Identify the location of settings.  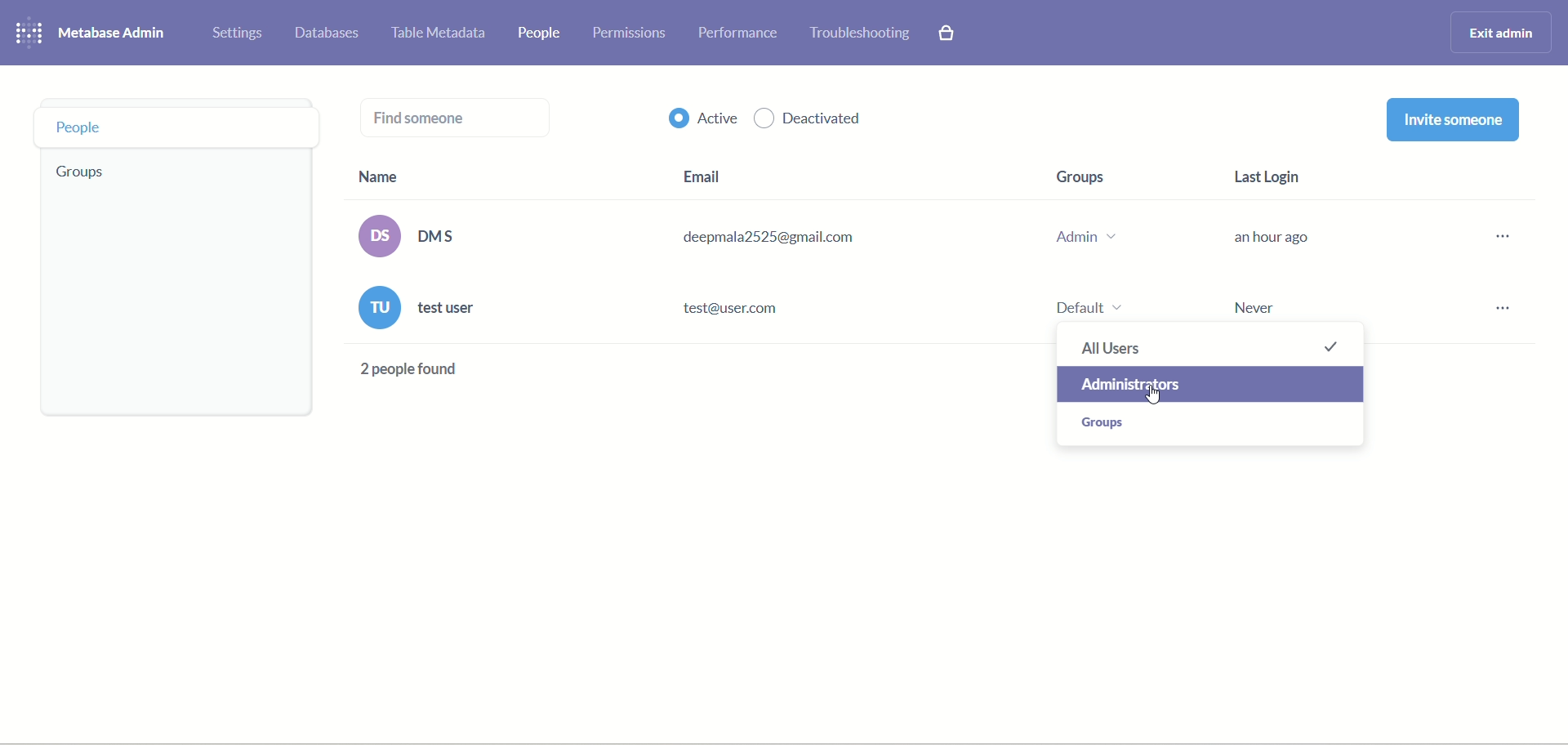
(238, 34).